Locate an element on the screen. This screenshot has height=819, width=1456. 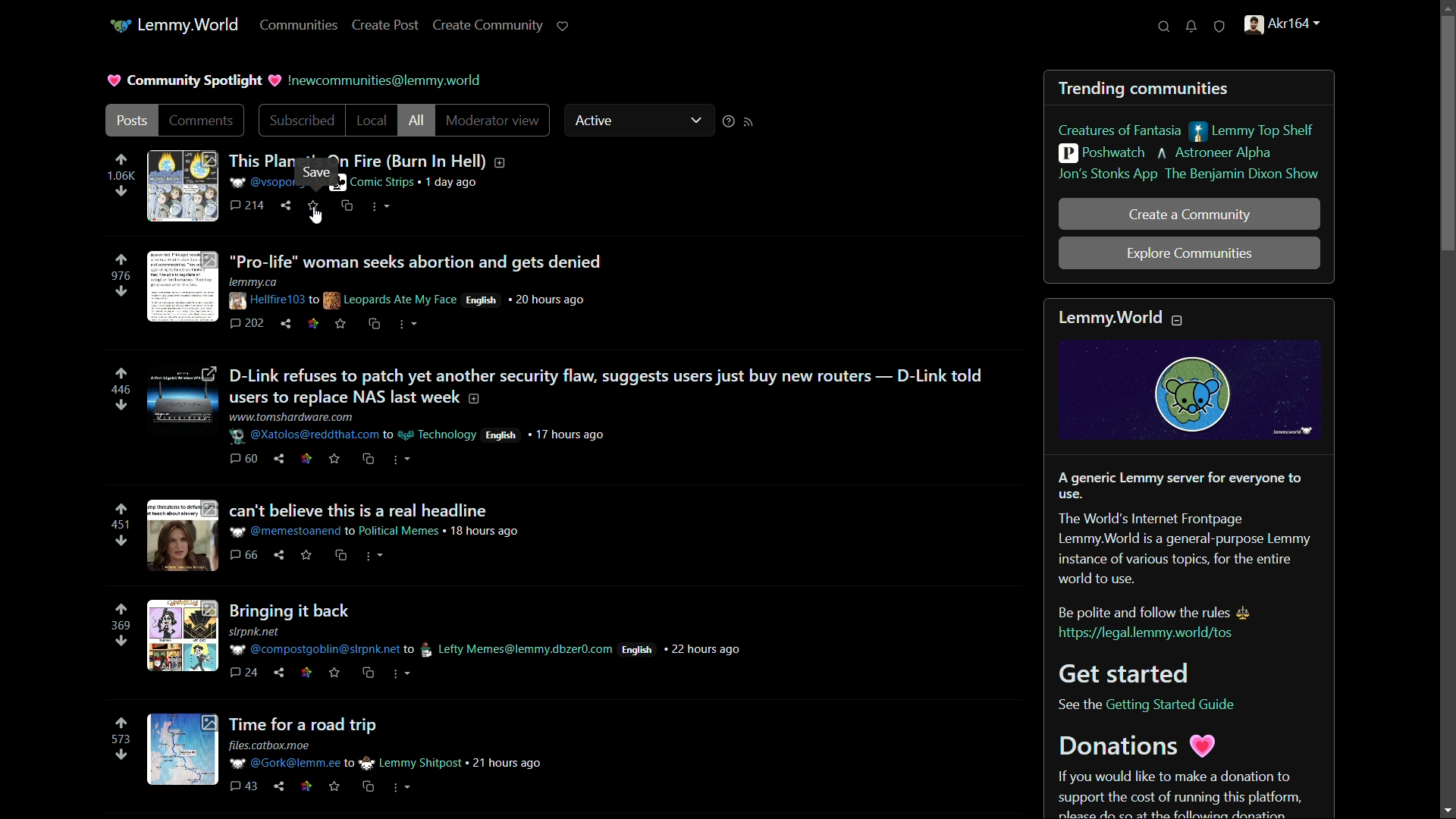
scroll bar is located at coordinates (1447, 138).